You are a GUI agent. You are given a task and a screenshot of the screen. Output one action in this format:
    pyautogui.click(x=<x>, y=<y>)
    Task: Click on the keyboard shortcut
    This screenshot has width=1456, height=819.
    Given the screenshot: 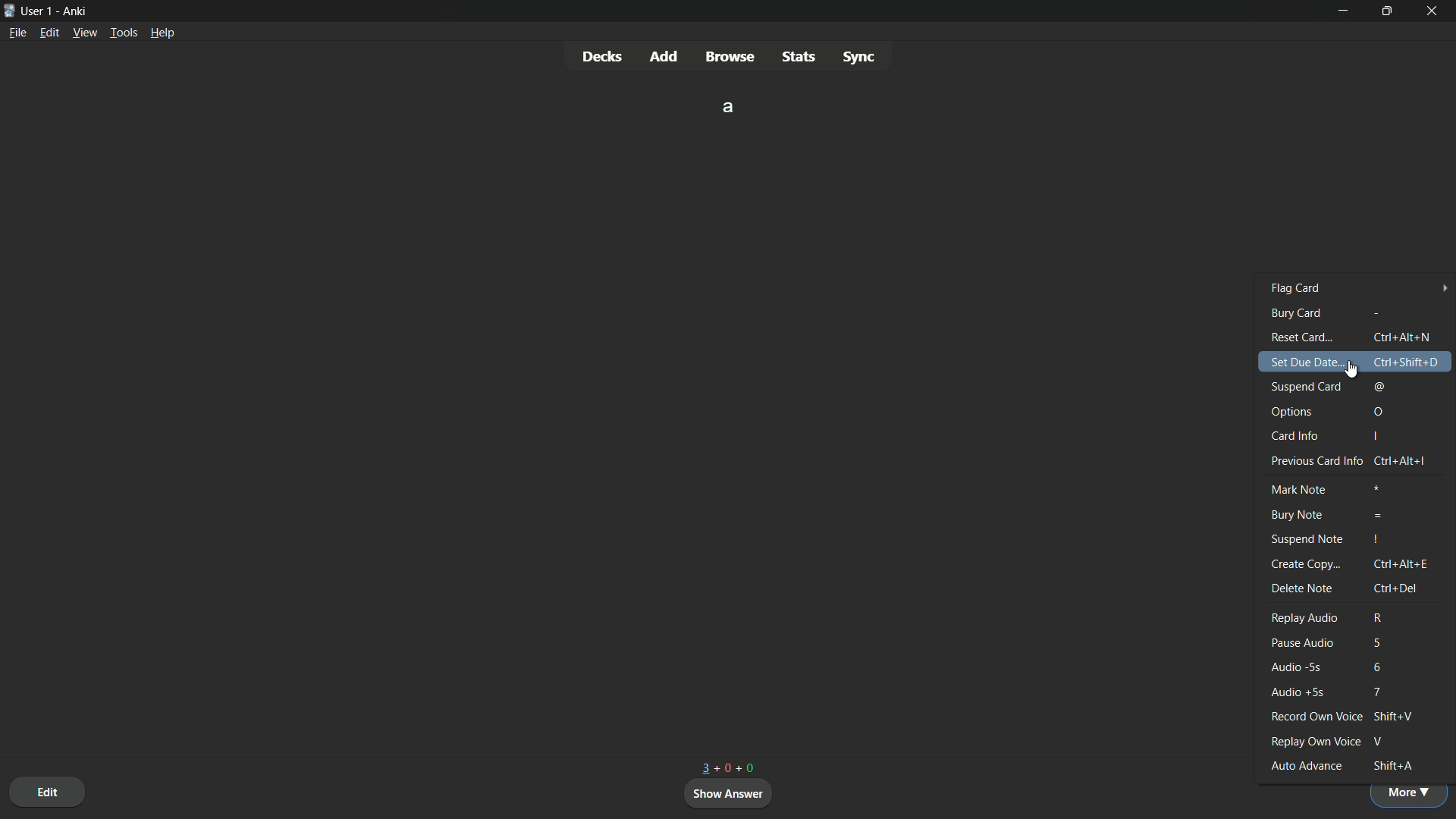 What is the action you would take?
    pyautogui.click(x=1394, y=588)
    